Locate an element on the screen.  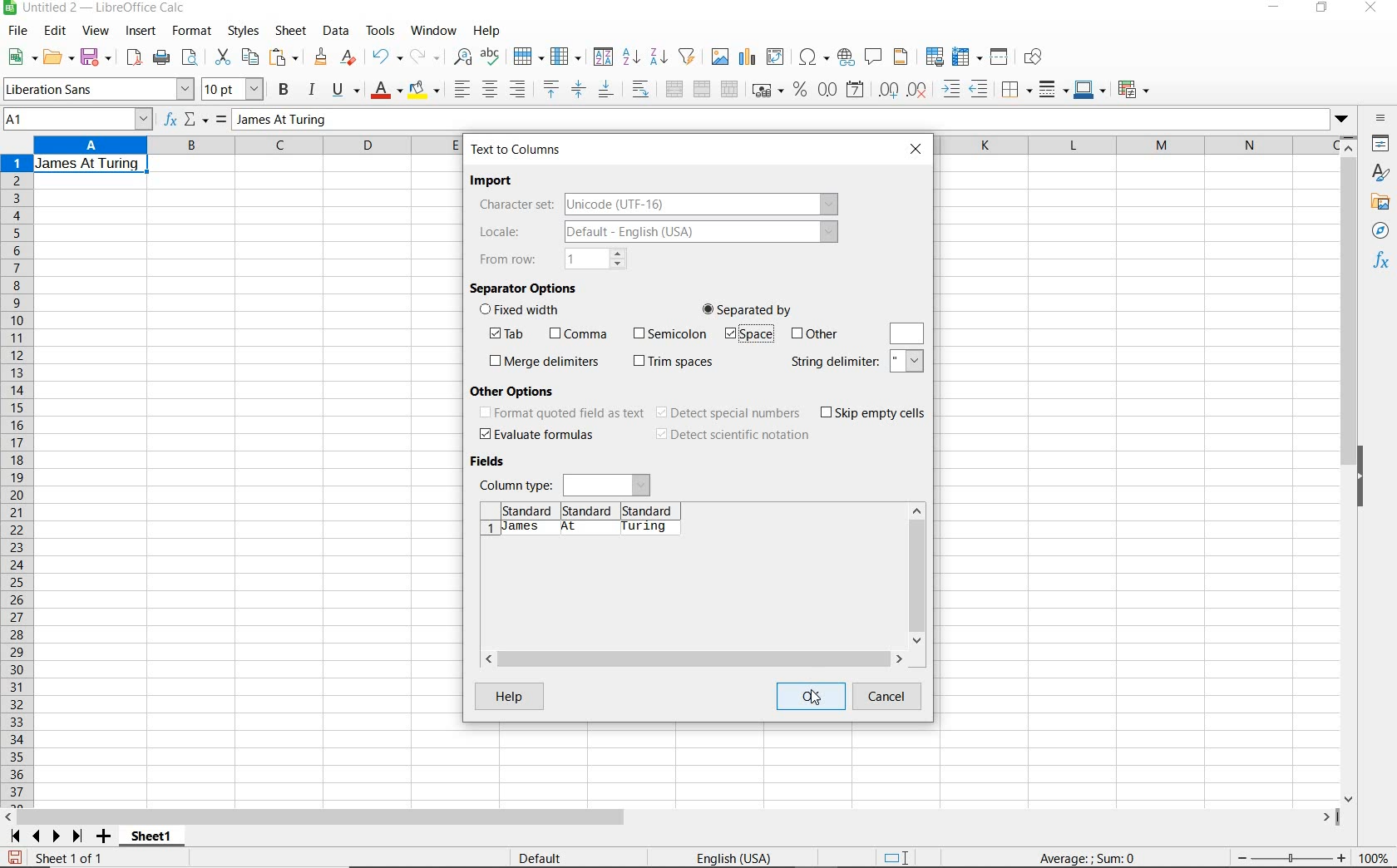
gallery is located at coordinates (1380, 204).